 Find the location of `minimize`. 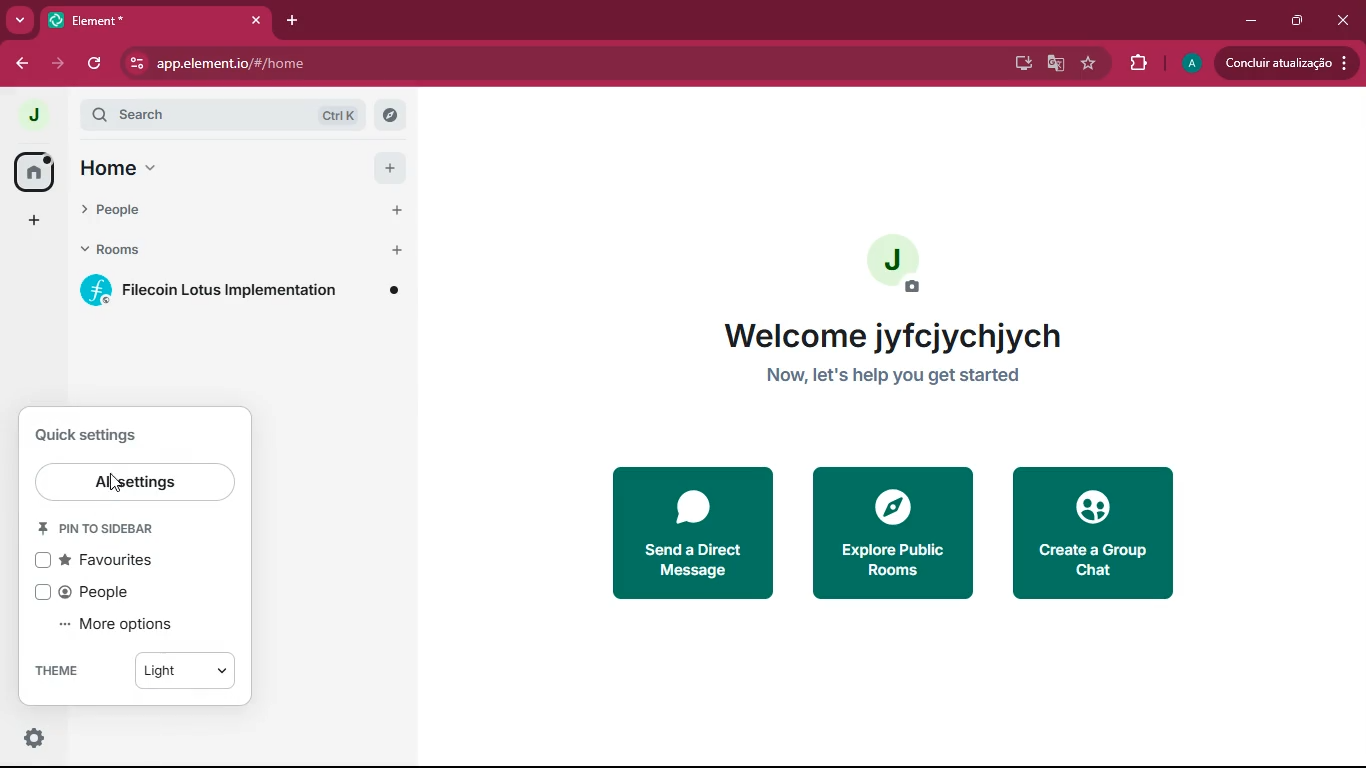

minimize is located at coordinates (1251, 18).